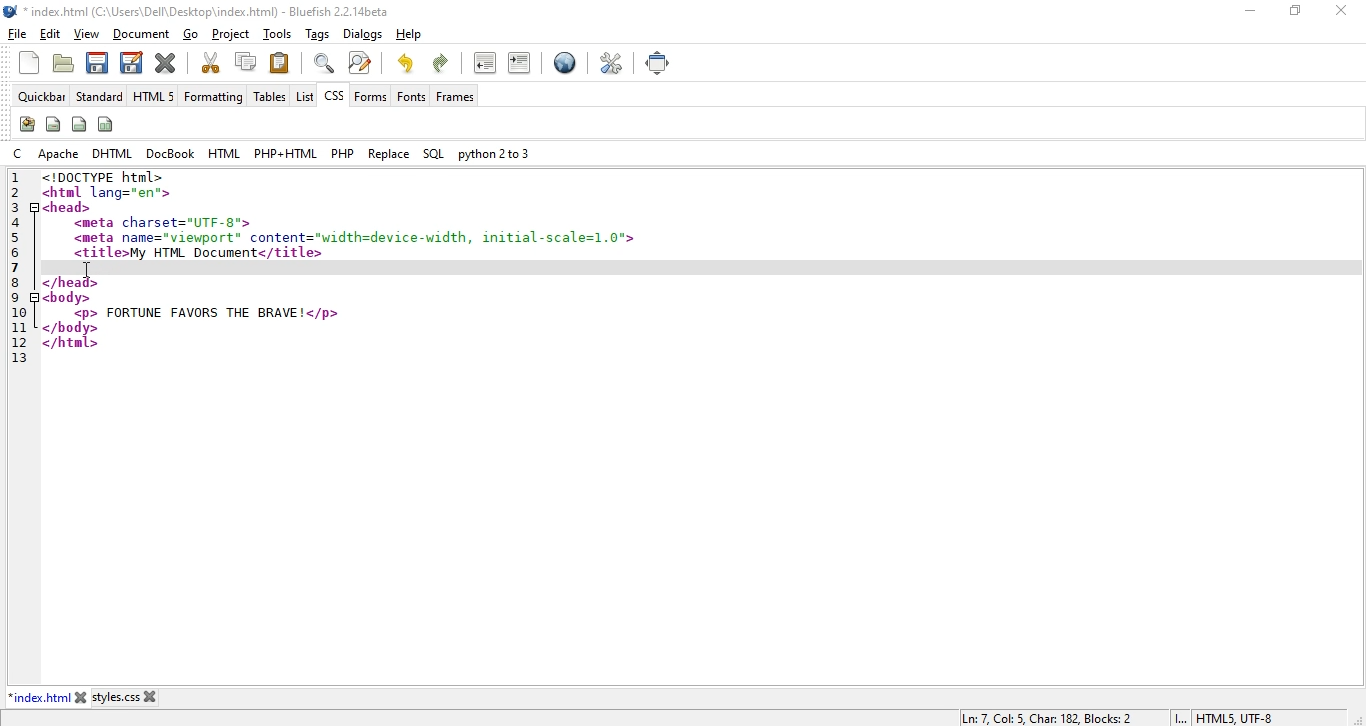  What do you see at coordinates (130, 61) in the screenshot?
I see `save file as` at bounding box center [130, 61].